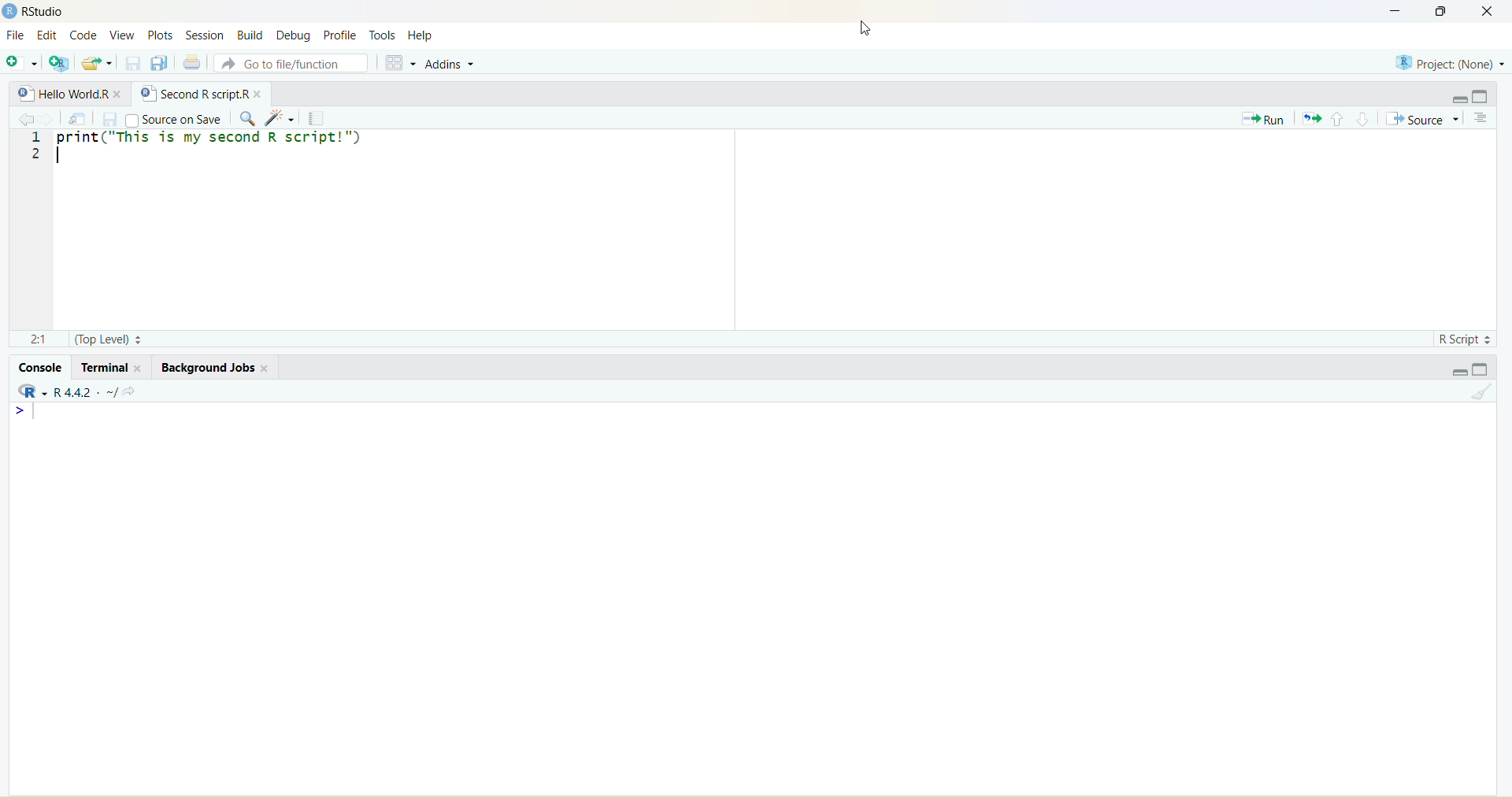 The width and height of the screenshot is (1512, 797). What do you see at coordinates (134, 389) in the screenshot?
I see `View the current working directory` at bounding box center [134, 389].